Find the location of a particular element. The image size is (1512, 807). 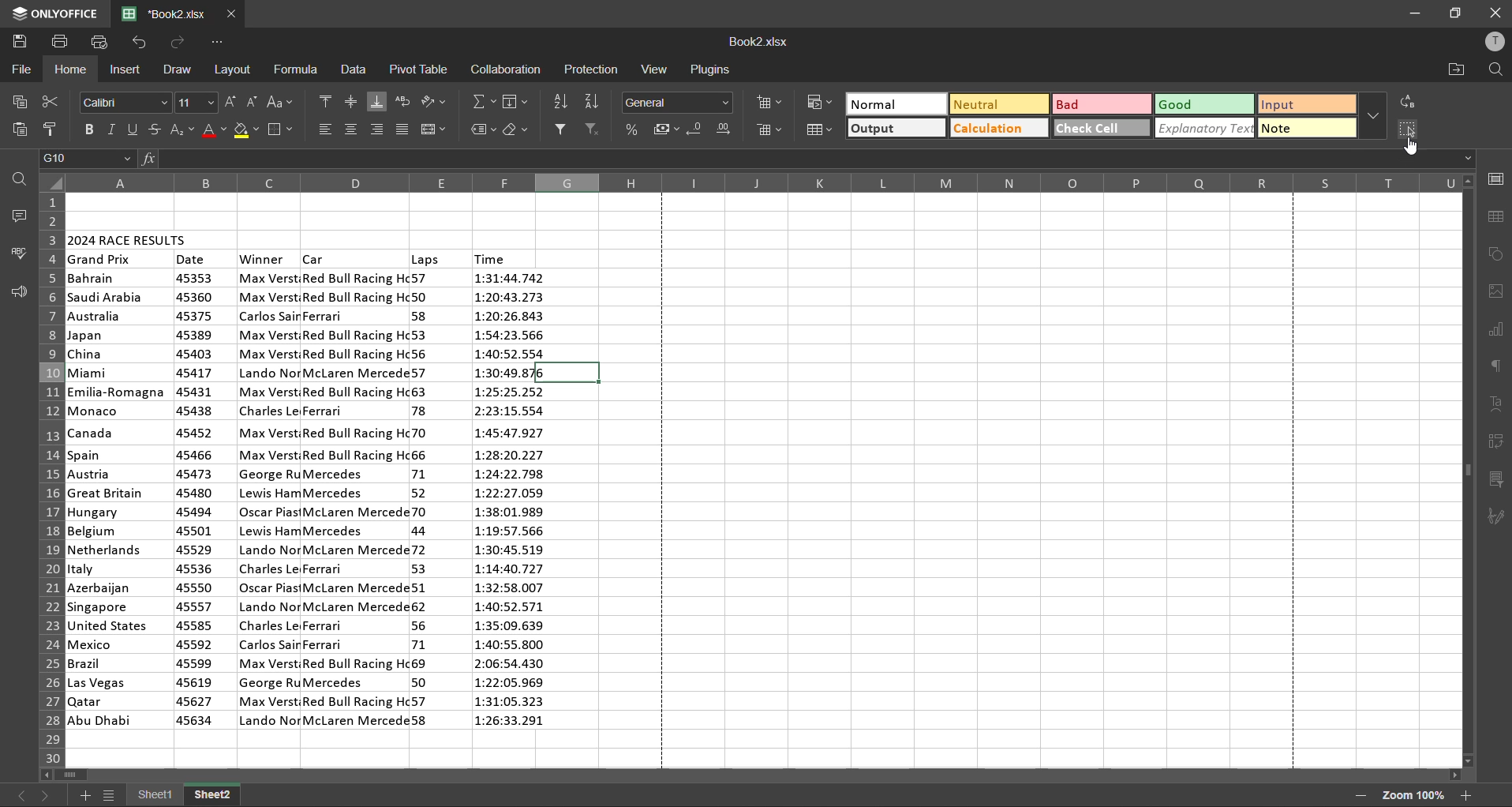

copy style is located at coordinates (51, 127).